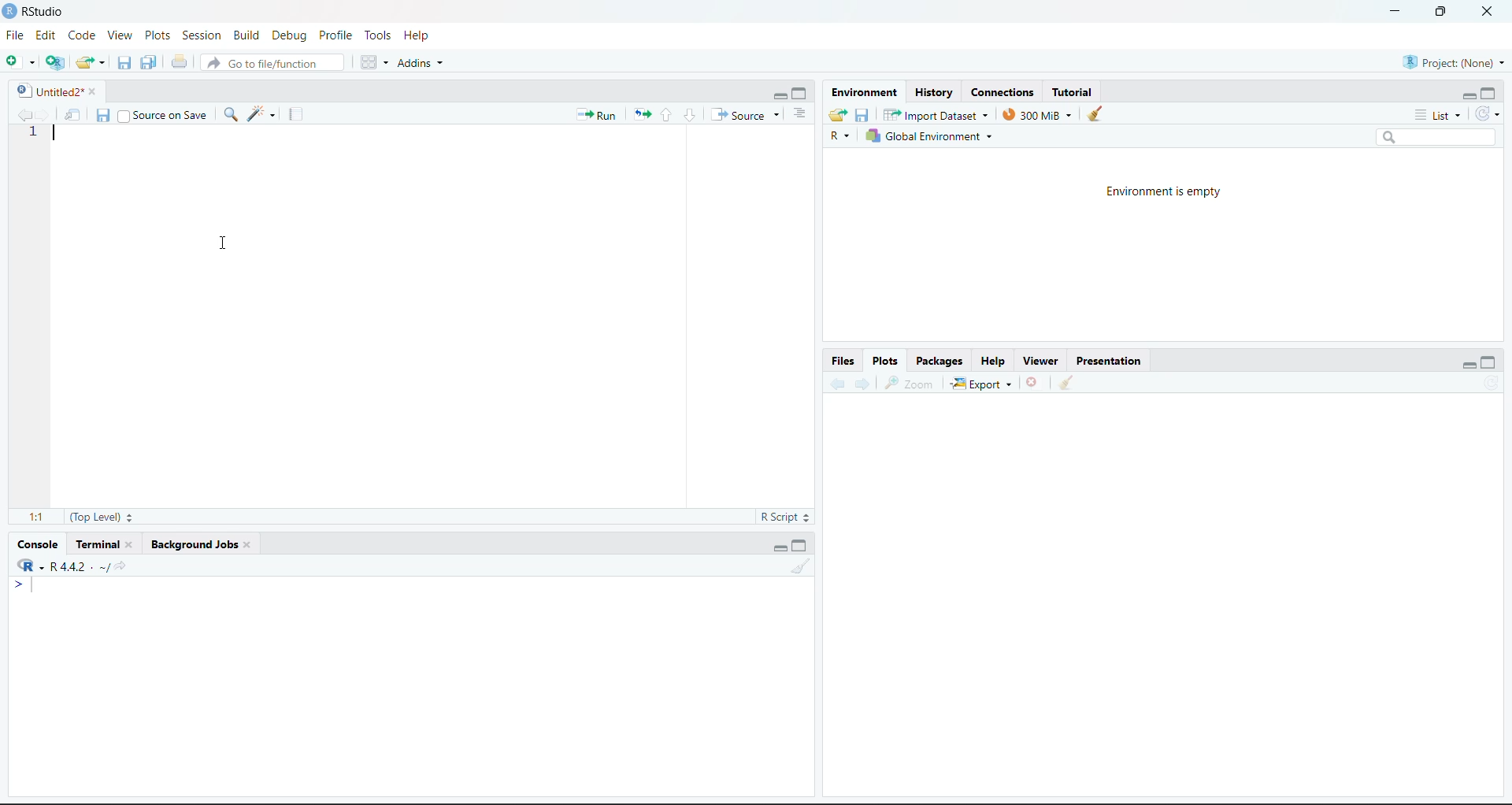 This screenshot has height=805, width=1512. I want to click on Help, so click(419, 35).